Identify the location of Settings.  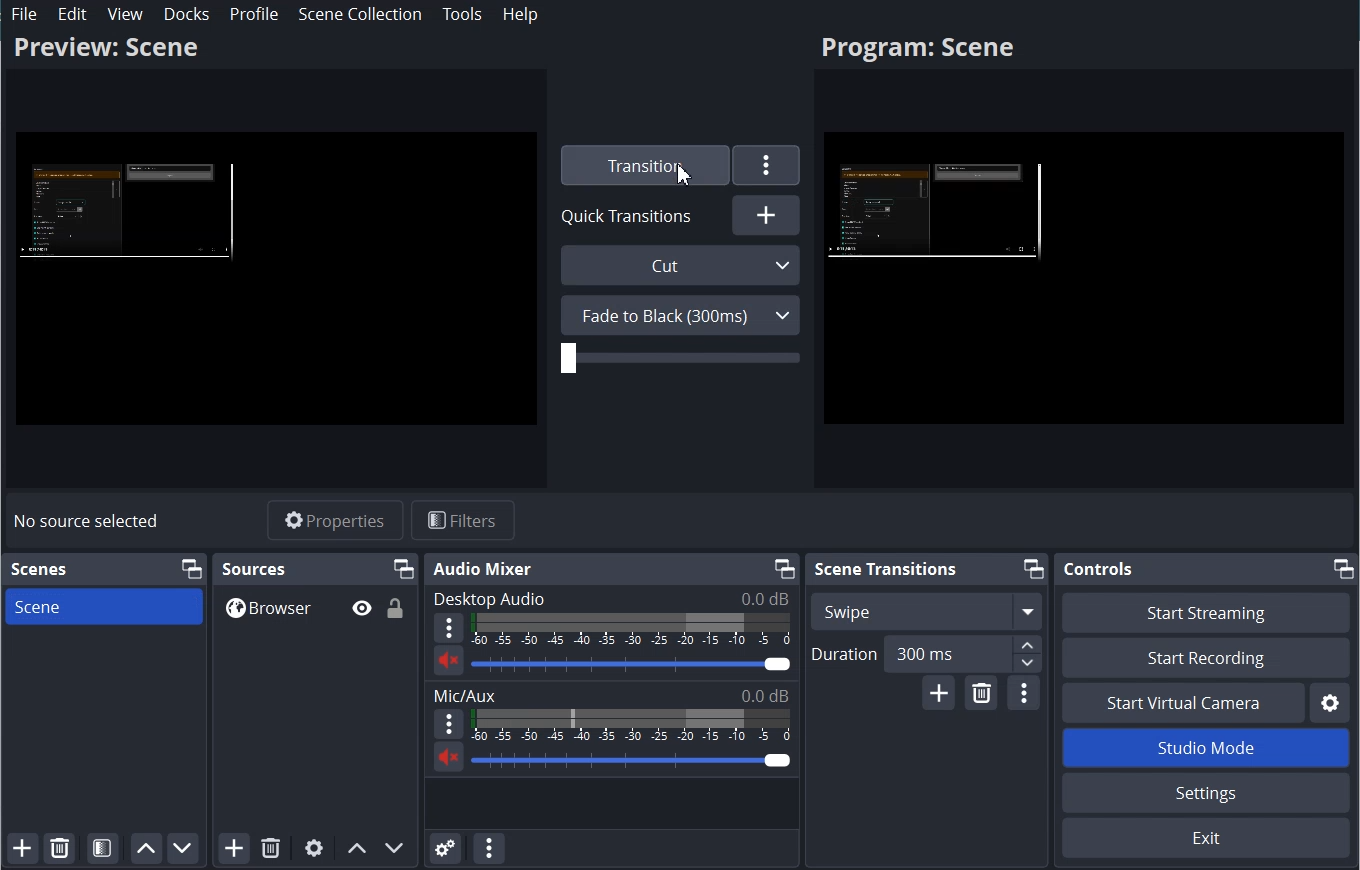
(1331, 702).